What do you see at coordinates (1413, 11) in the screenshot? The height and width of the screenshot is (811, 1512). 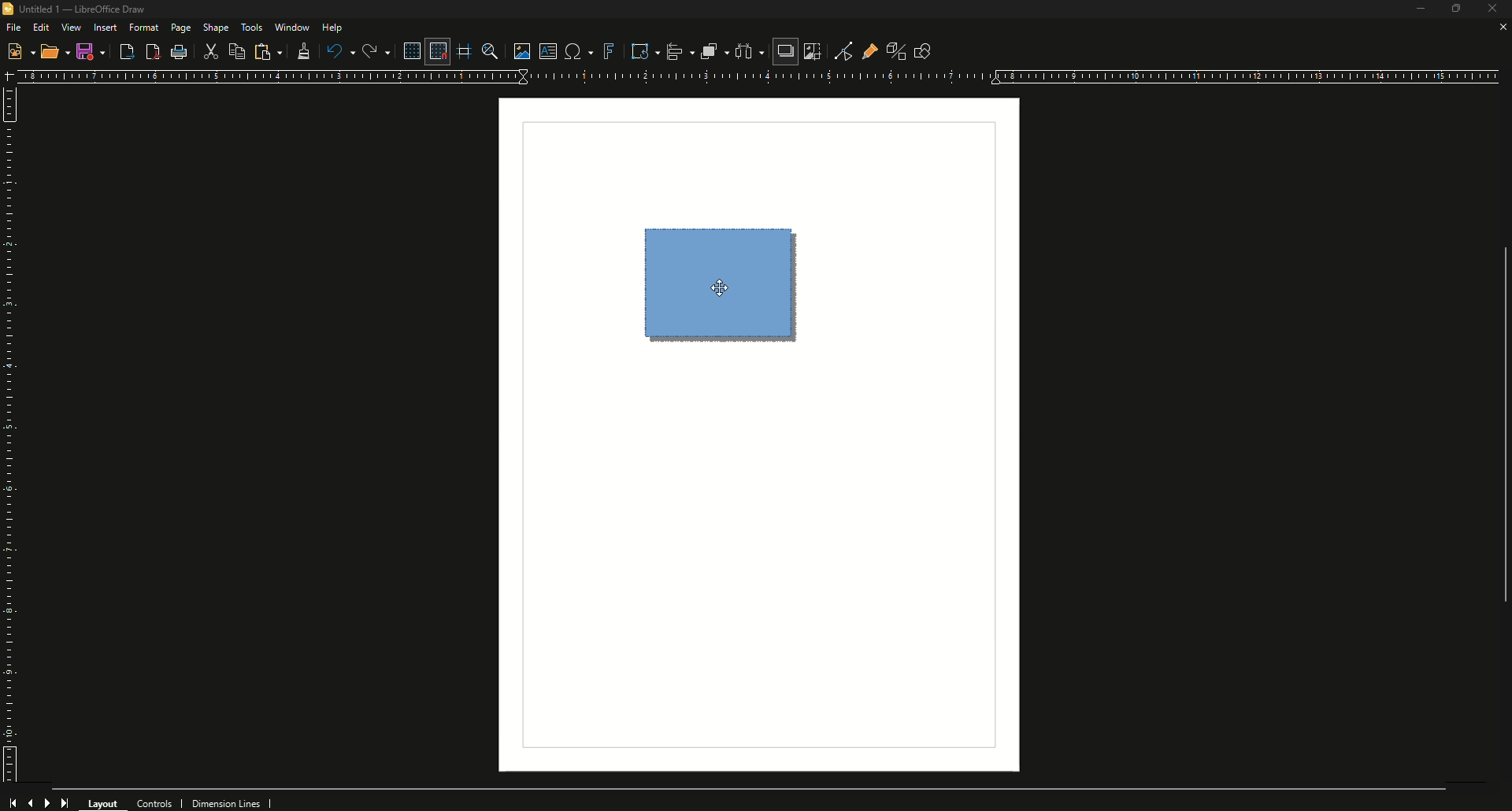 I see `Minimize` at bounding box center [1413, 11].